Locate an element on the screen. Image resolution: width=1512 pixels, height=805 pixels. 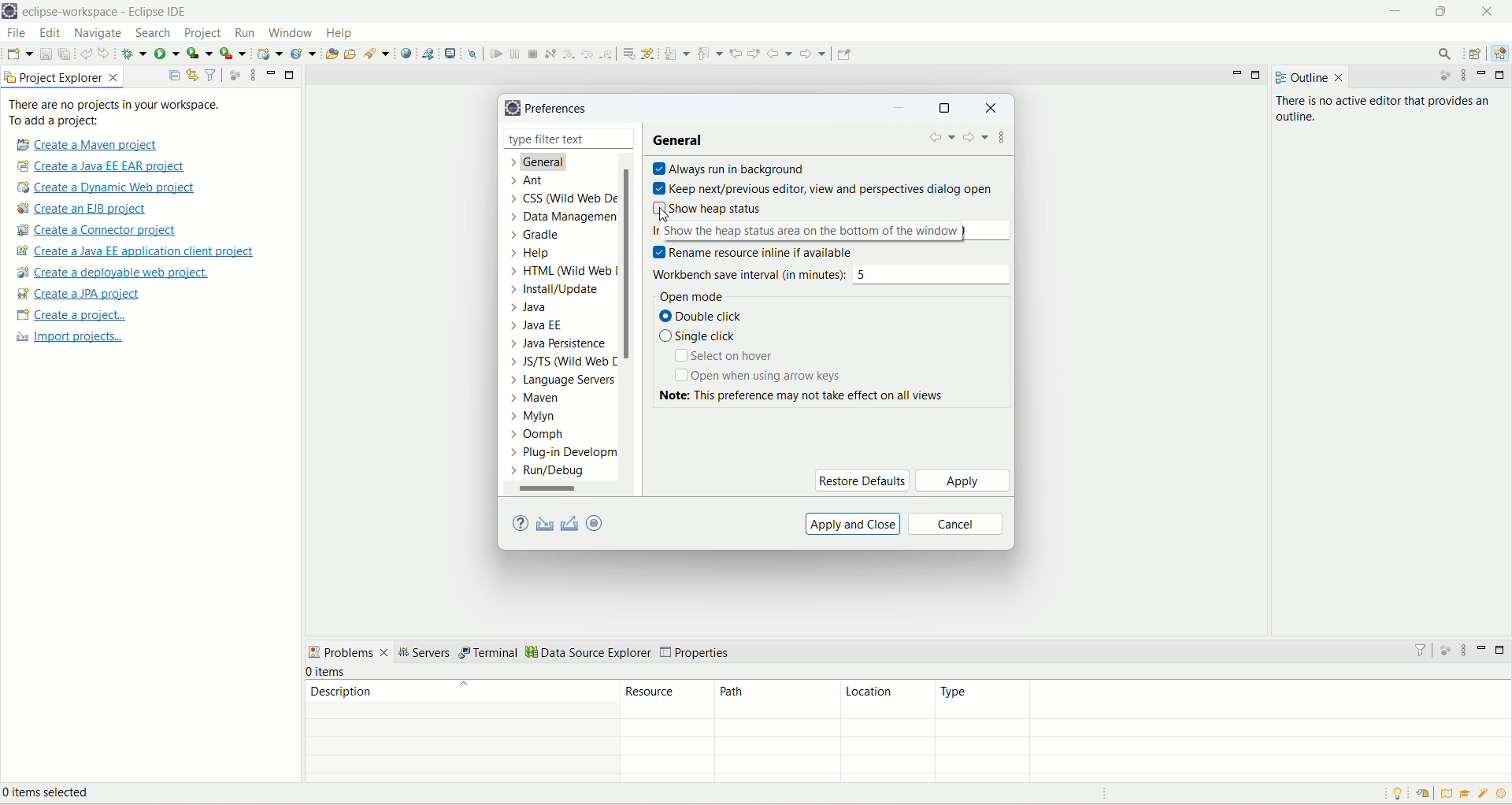
minimize is located at coordinates (271, 73).